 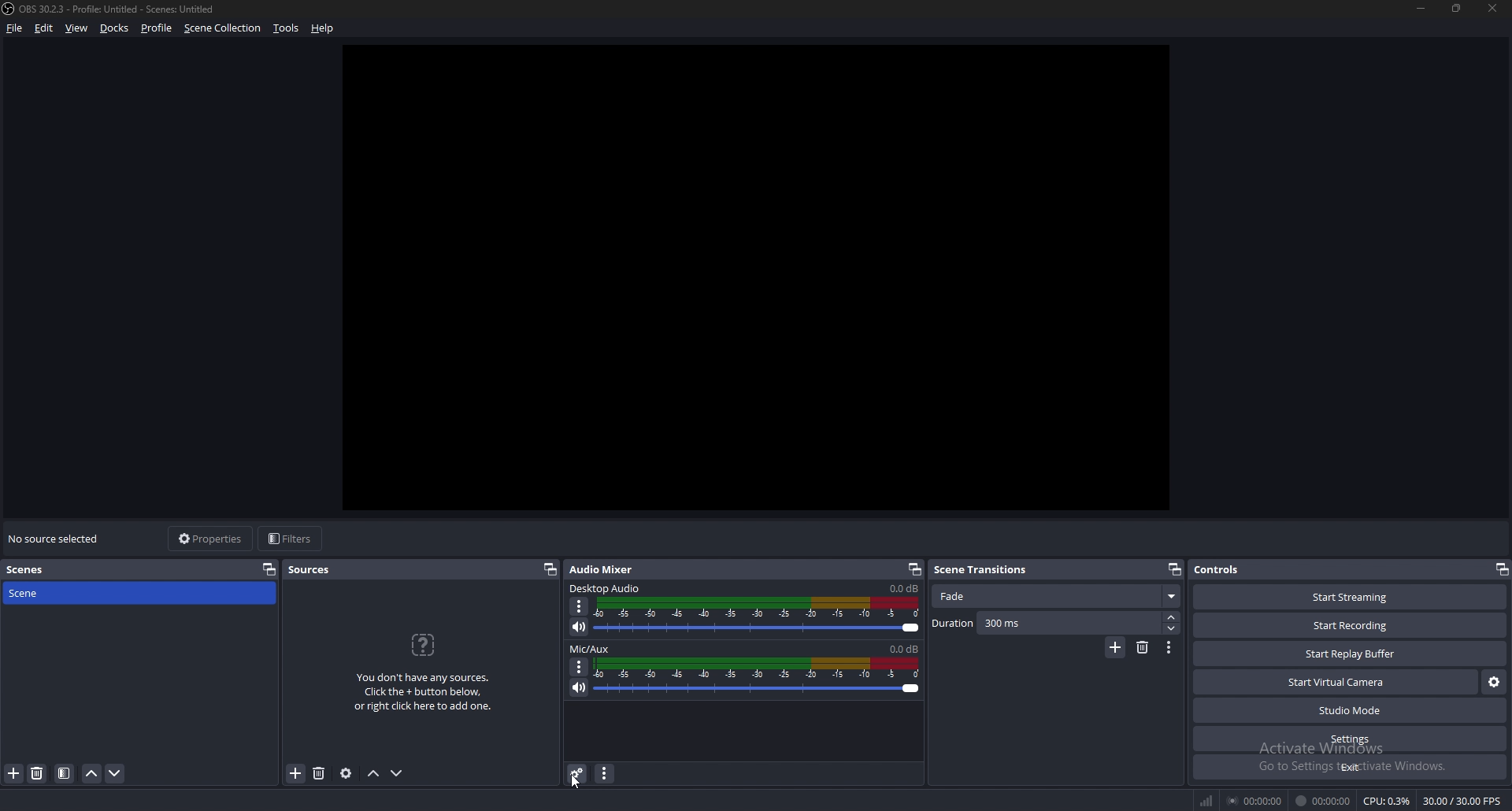 What do you see at coordinates (1116, 647) in the screenshot?
I see `add transition` at bounding box center [1116, 647].